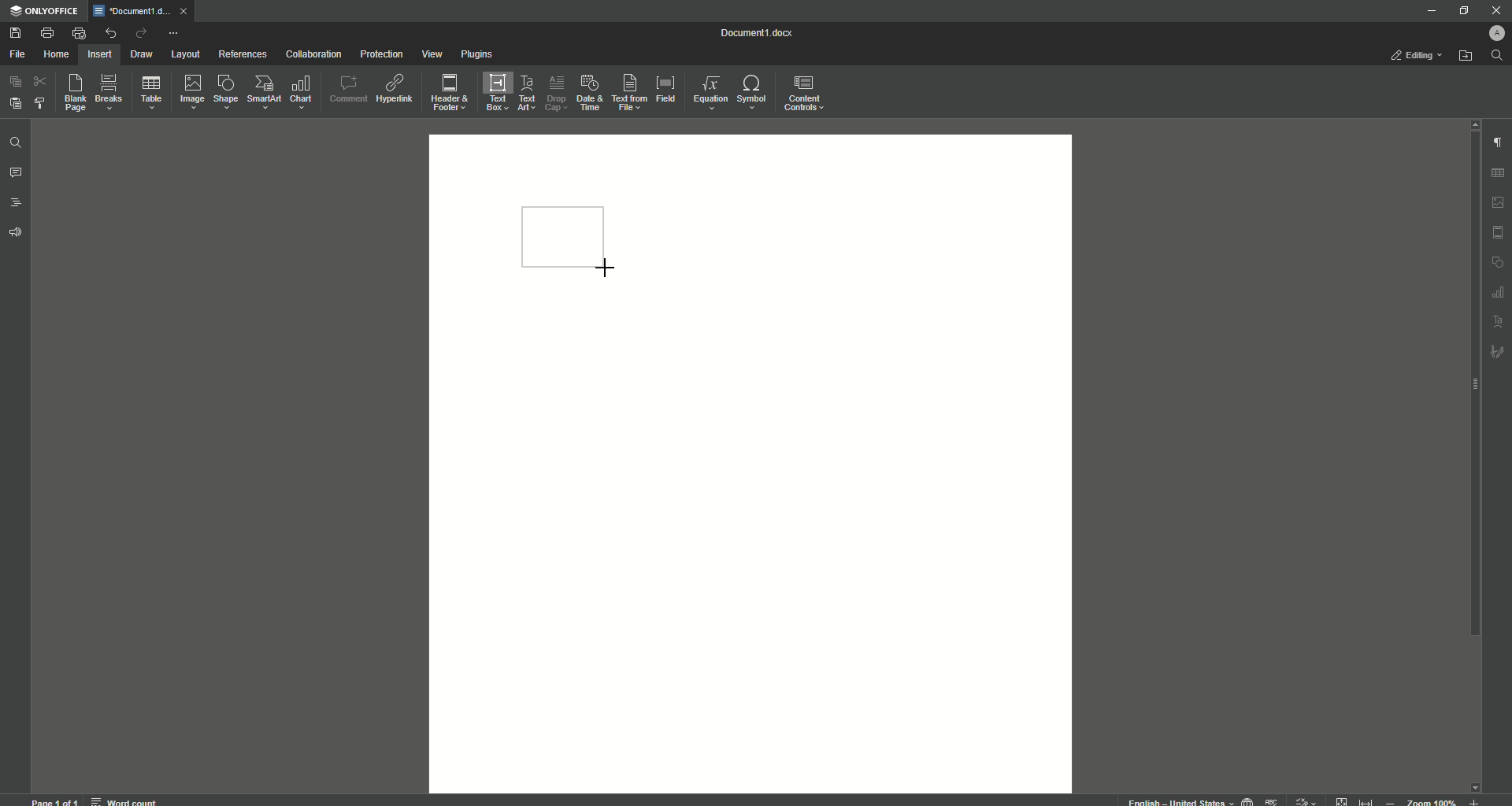 The width and height of the screenshot is (1512, 806). Describe the element at coordinates (1500, 171) in the screenshot. I see `table` at that location.